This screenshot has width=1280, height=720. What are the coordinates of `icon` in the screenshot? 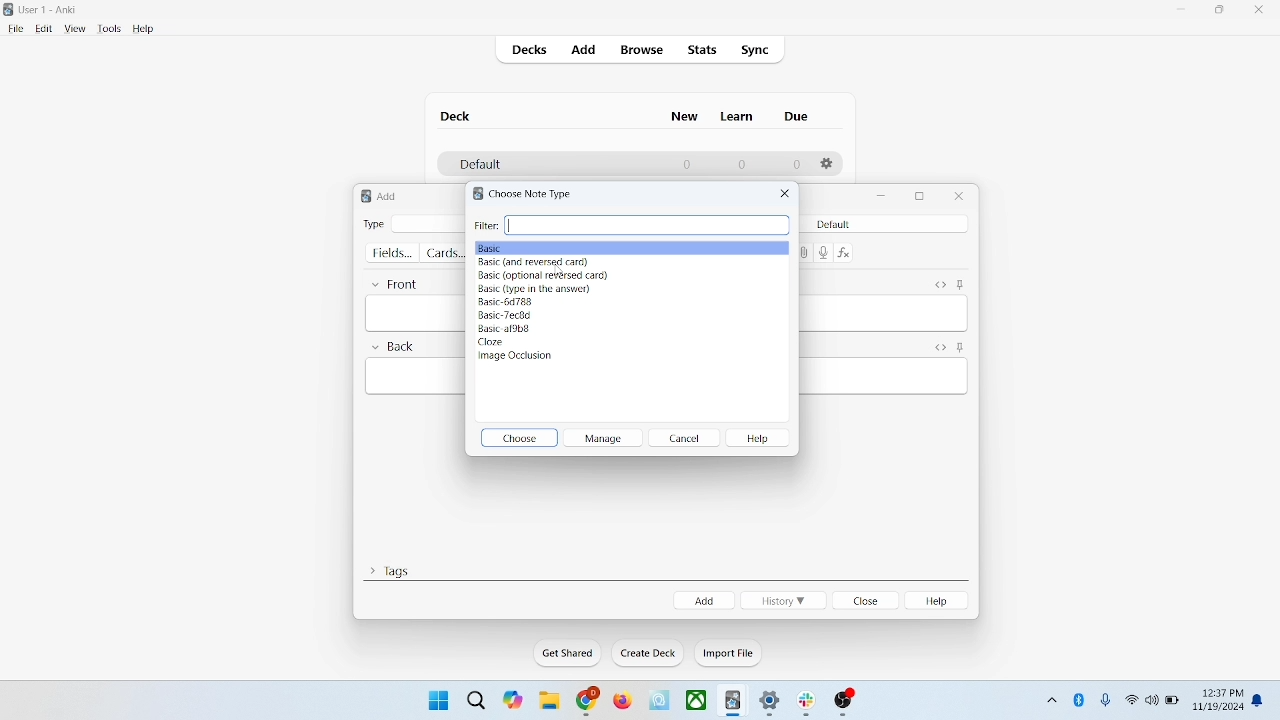 It's located at (845, 703).